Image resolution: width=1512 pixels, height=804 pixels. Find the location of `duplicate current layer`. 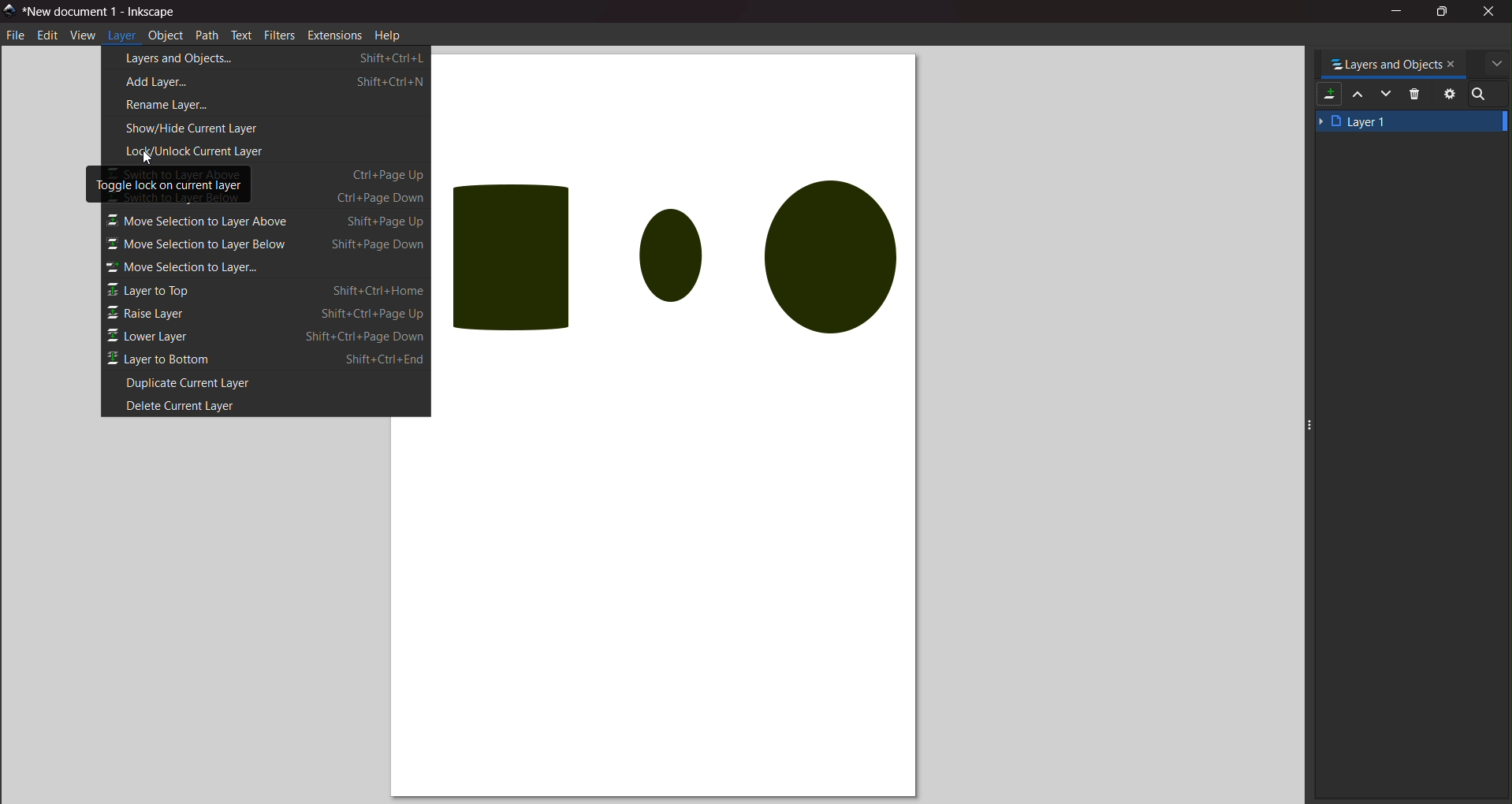

duplicate current layer is located at coordinates (196, 381).